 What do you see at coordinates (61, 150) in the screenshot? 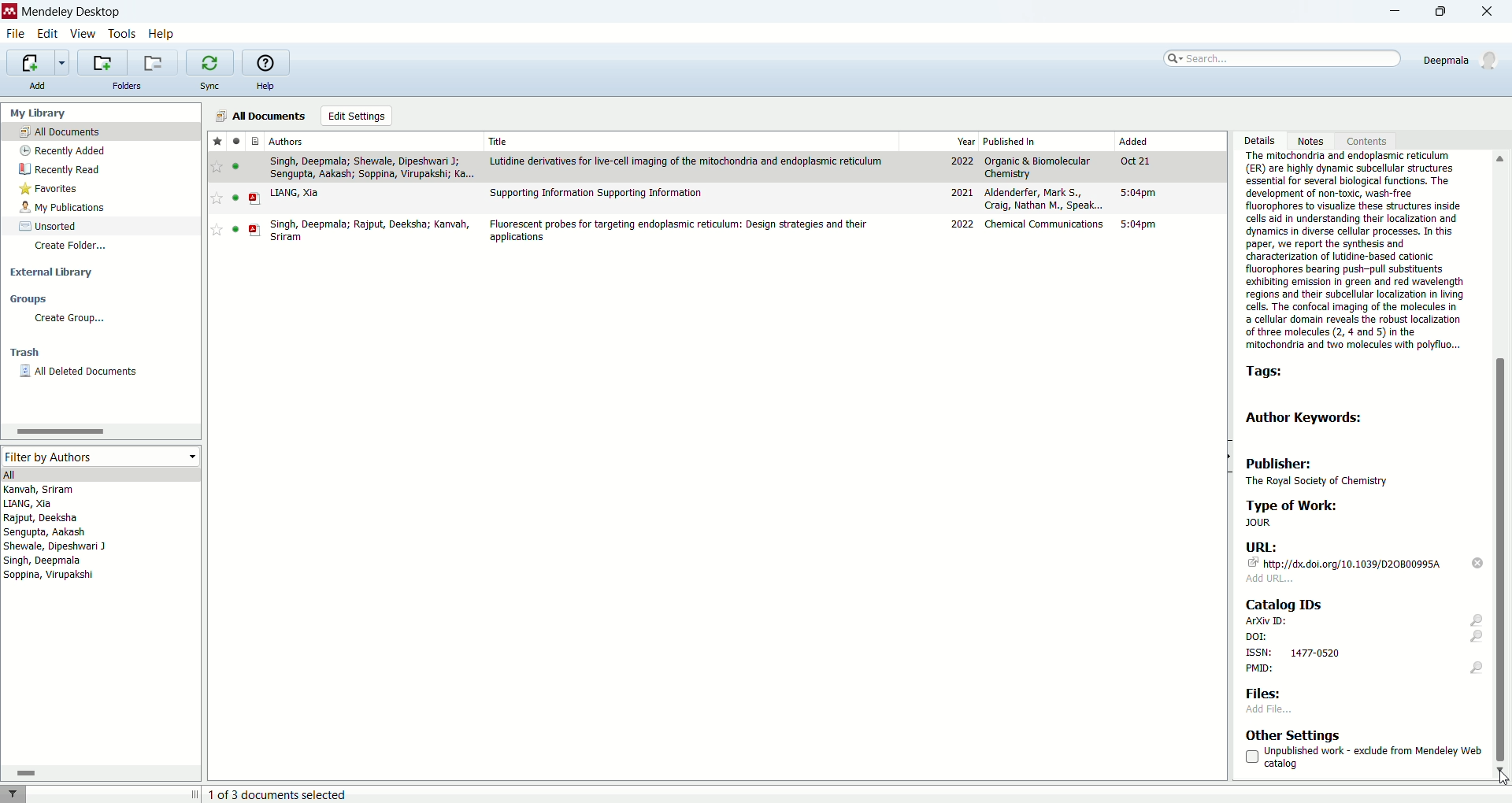
I see `recently added` at bounding box center [61, 150].